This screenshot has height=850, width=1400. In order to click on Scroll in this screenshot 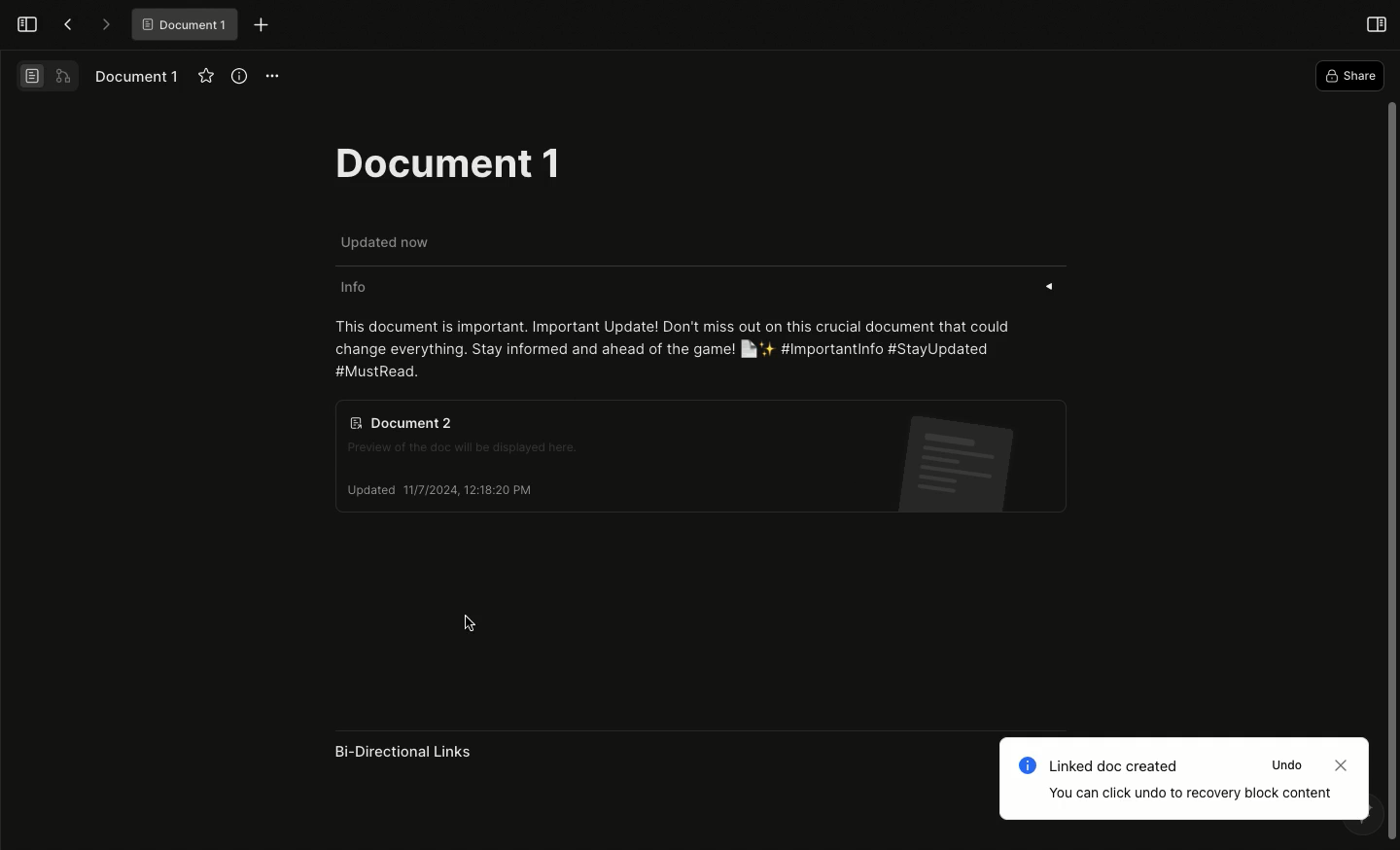, I will do `click(1391, 471)`.